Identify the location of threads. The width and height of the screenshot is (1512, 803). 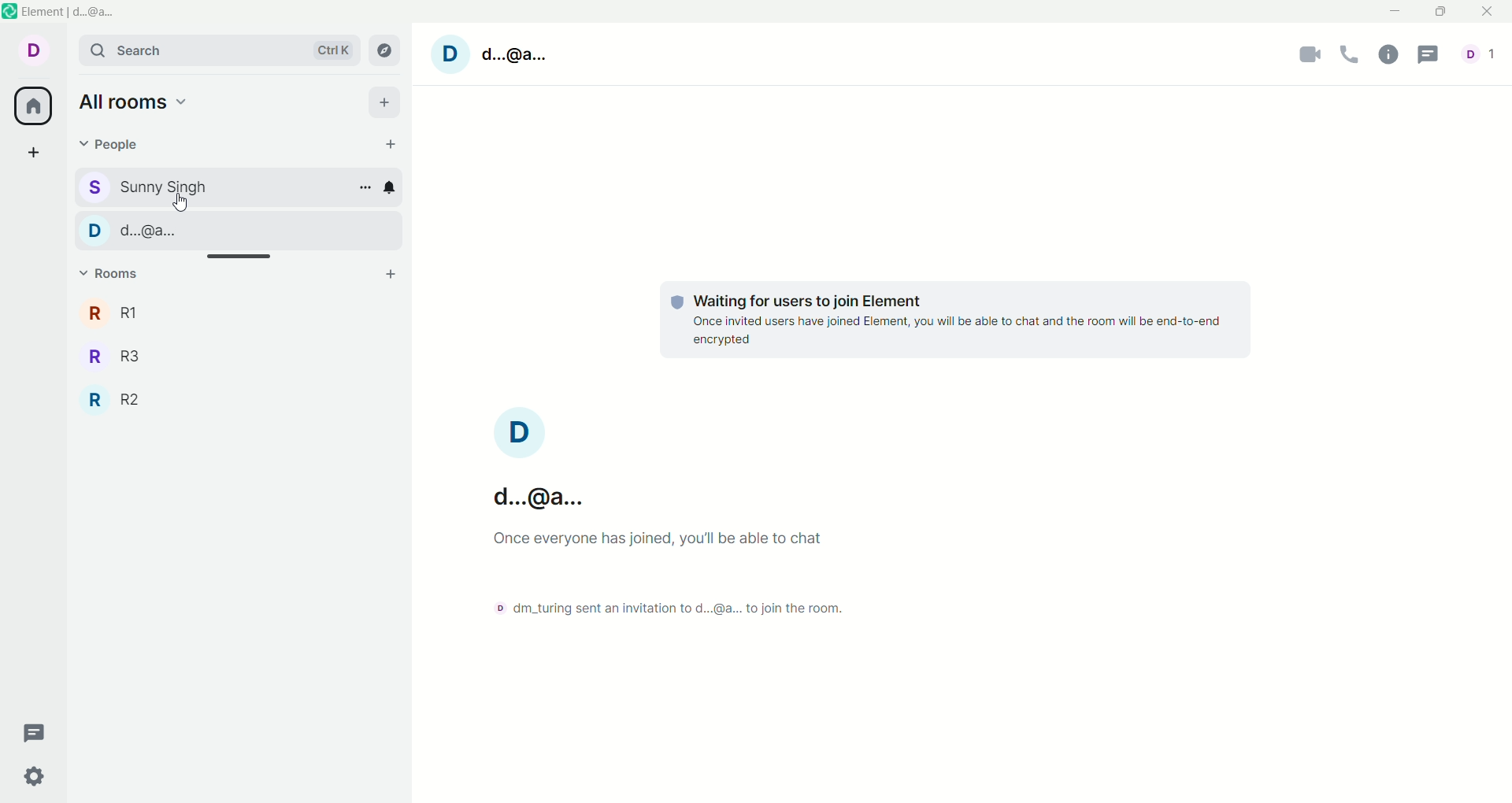
(1429, 54).